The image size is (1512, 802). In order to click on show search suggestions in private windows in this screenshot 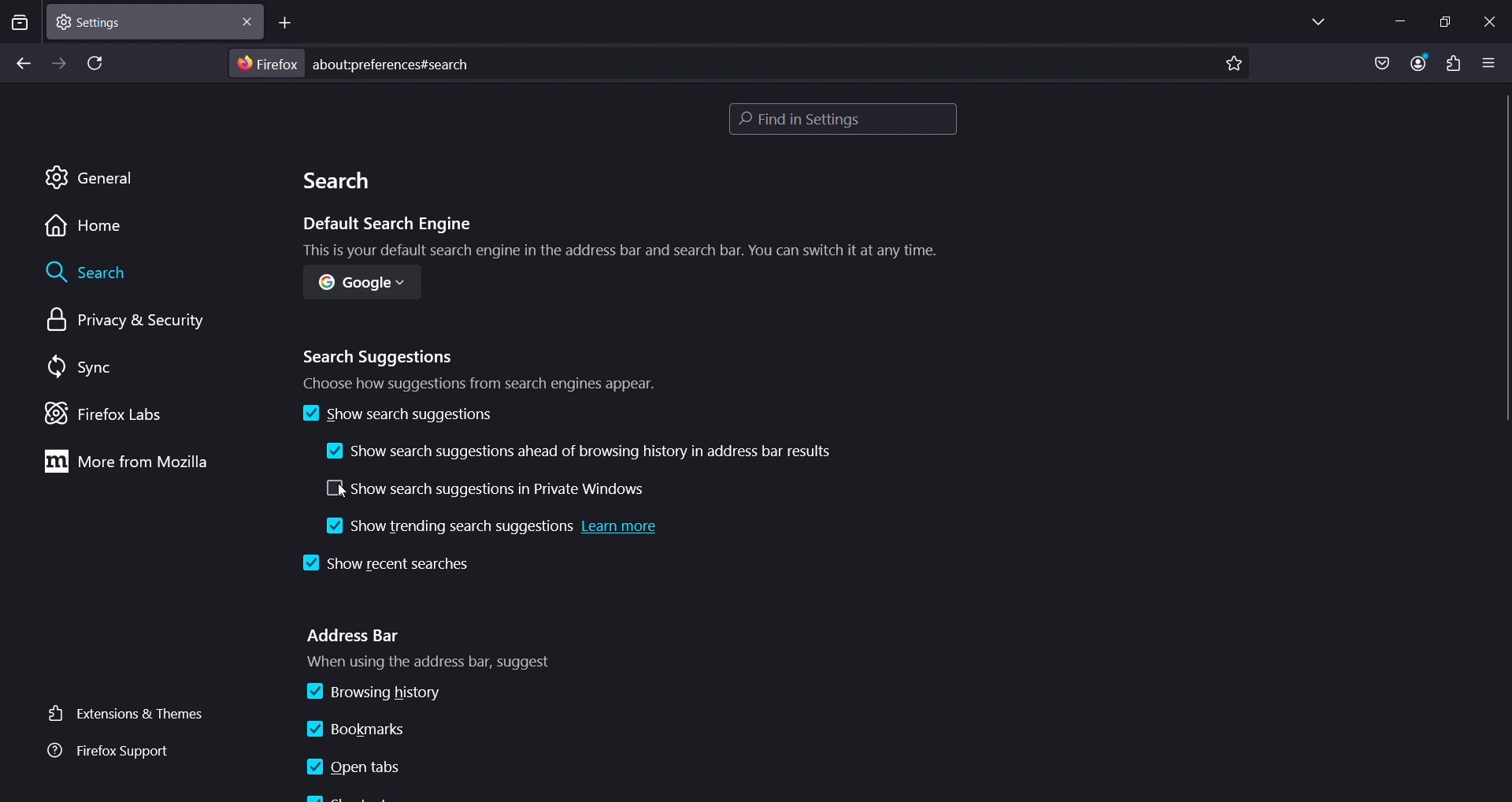, I will do `click(481, 488)`.